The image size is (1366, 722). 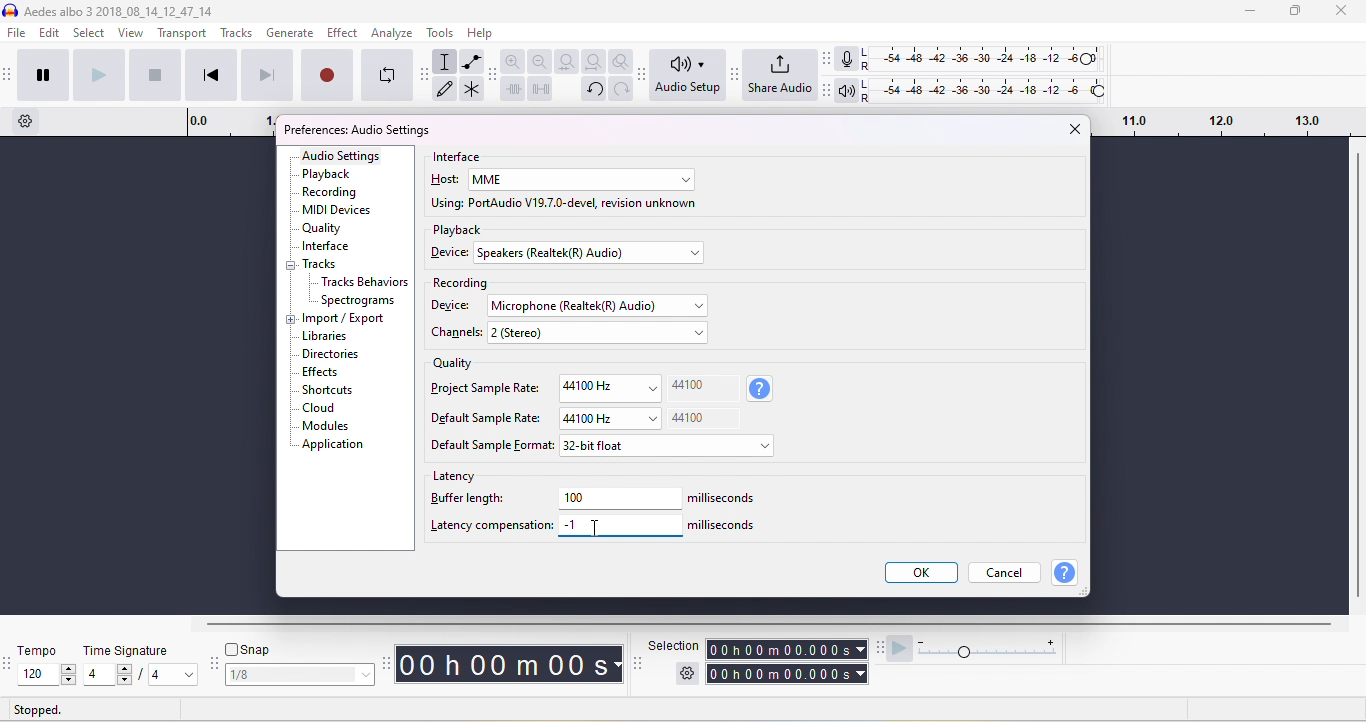 What do you see at coordinates (724, 524) in the screenshot?
I see `milliseconds` at bounding box center [724, 524].